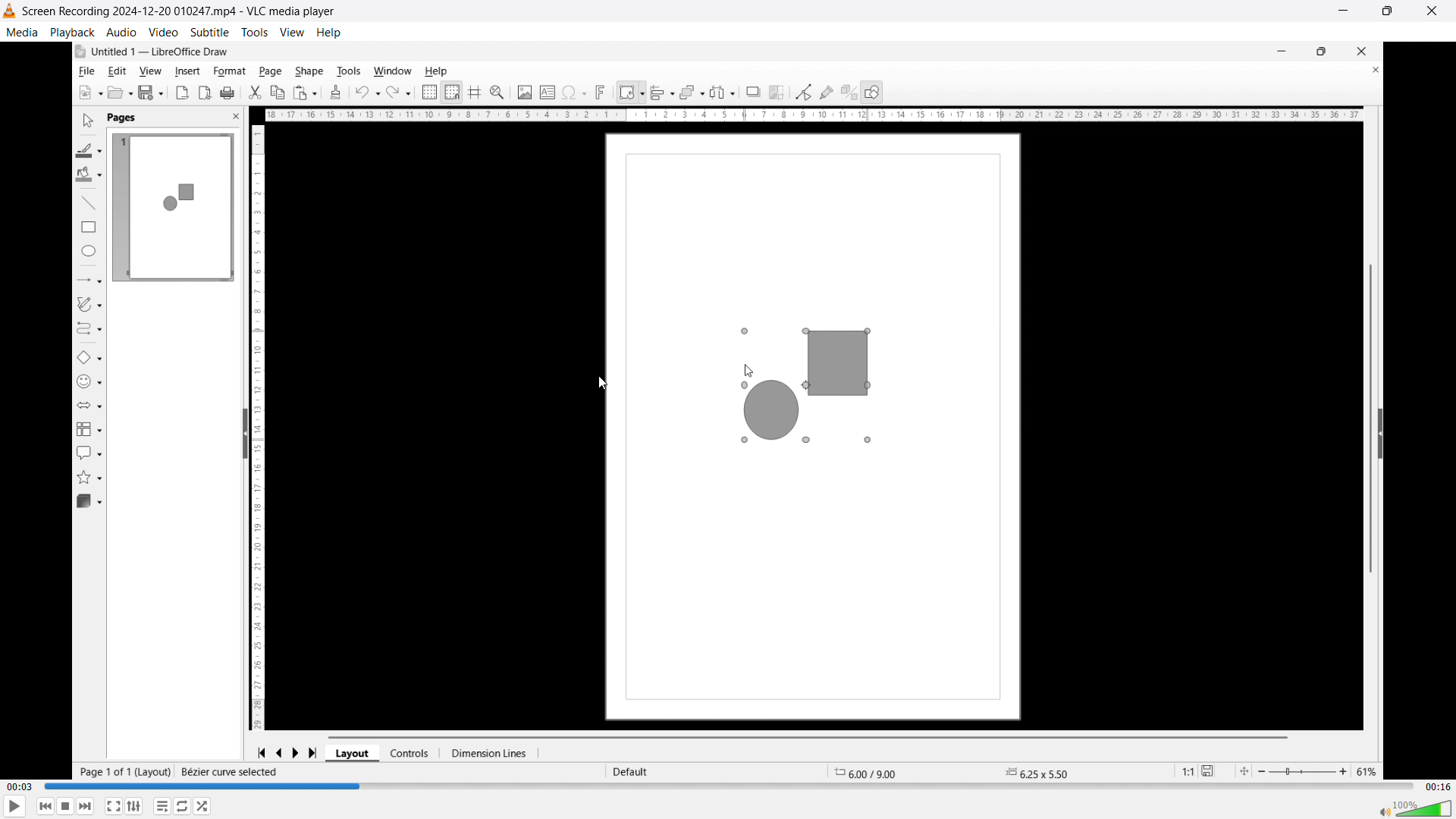  Describe the element at coordinates (1416, 808) in the screenshot. I see `volume bar ` at that location.